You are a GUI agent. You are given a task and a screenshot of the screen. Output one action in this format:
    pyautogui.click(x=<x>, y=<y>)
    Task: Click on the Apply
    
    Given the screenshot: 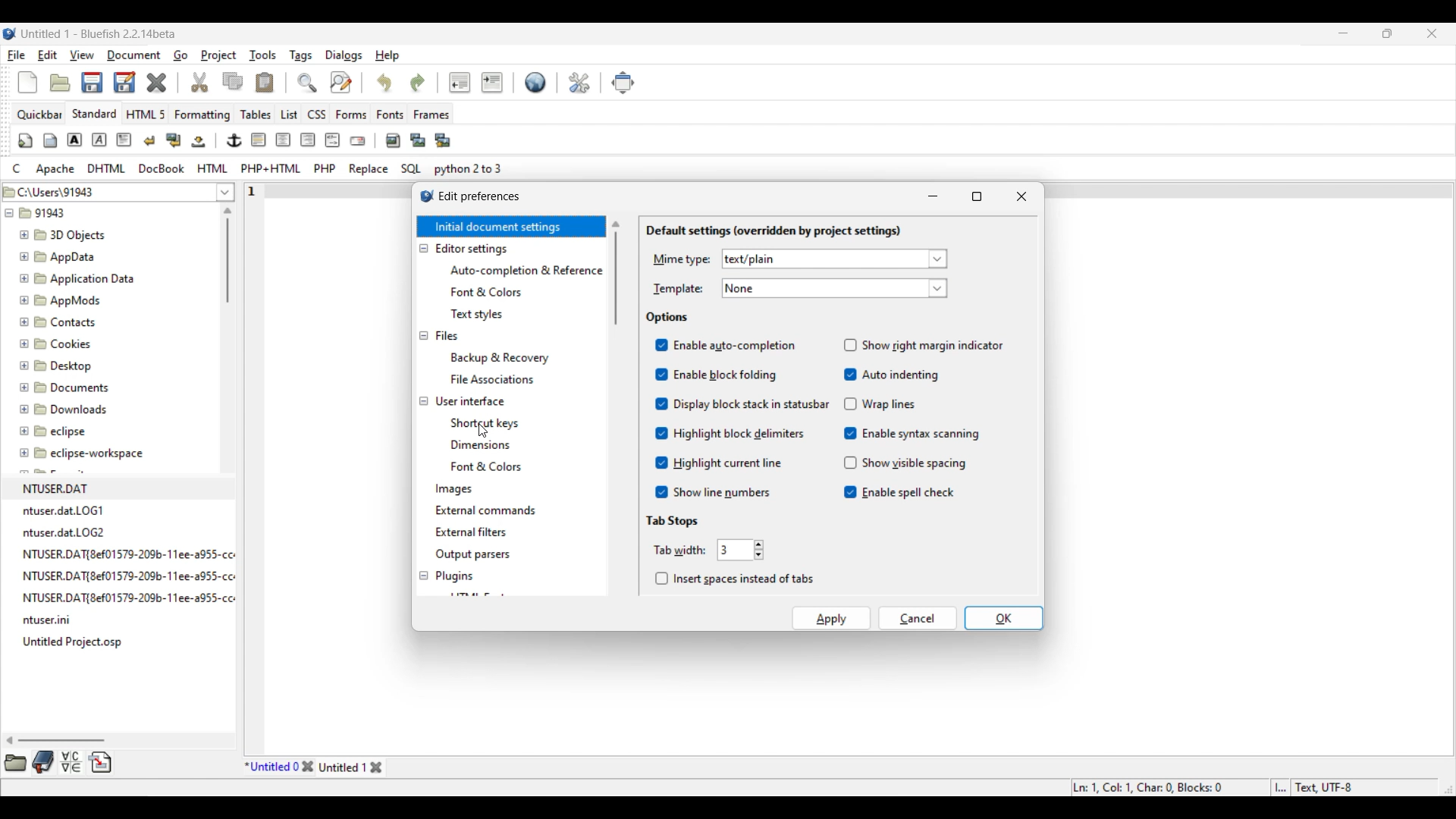 What is the action you would take?
    pyautogui.click(x=832, y=618)
    